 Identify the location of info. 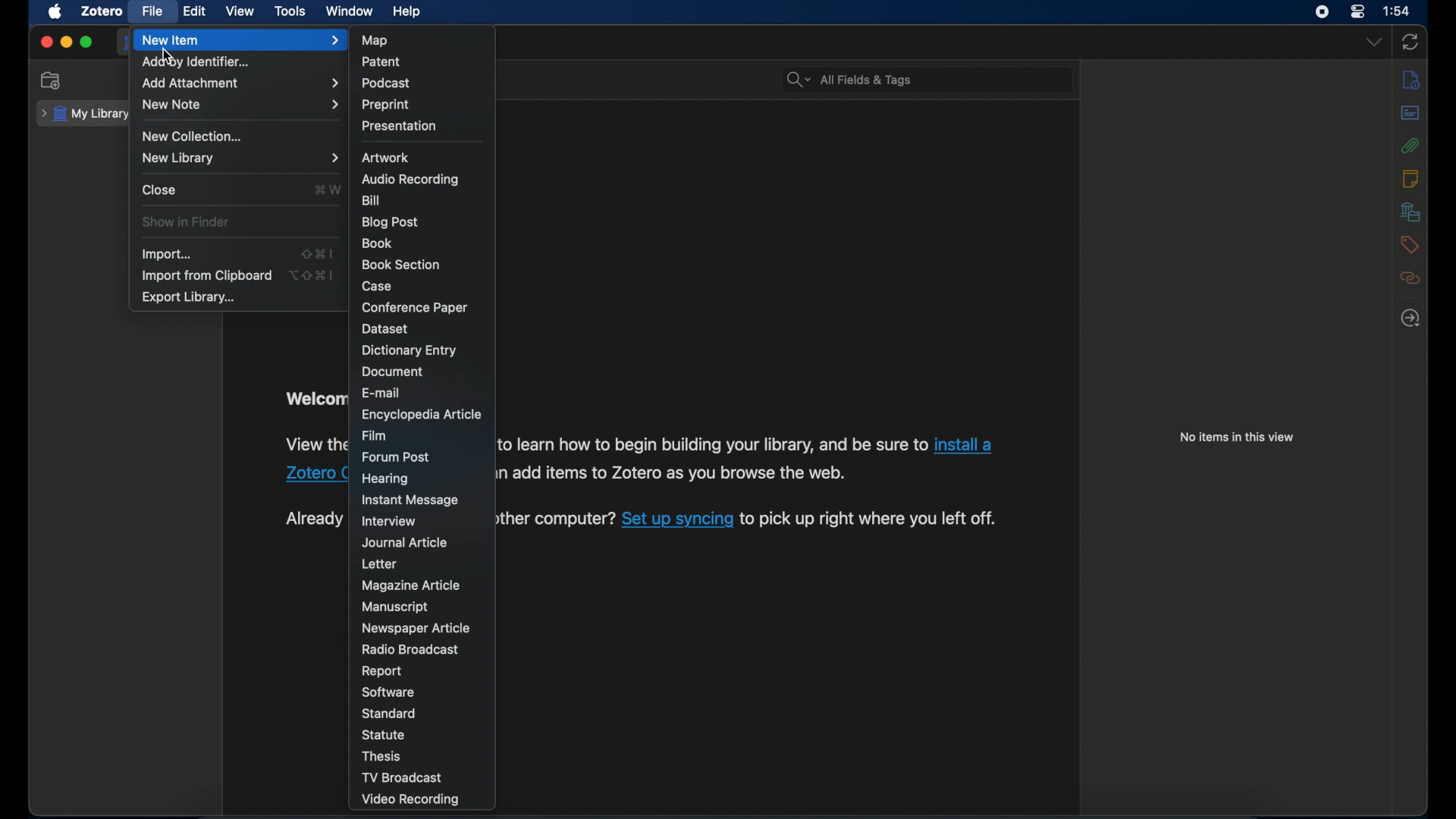
(1410, 79).